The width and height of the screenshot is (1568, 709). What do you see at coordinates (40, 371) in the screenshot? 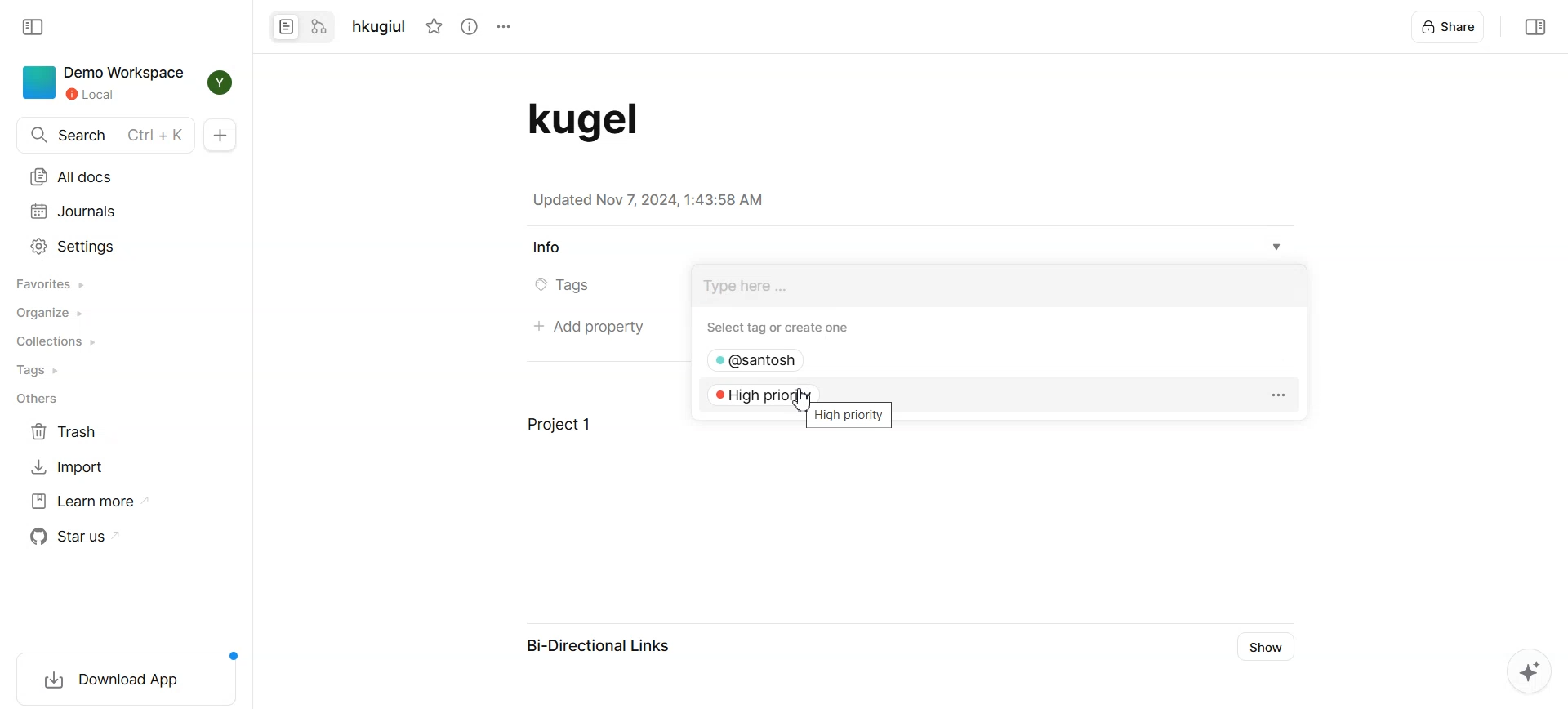
I see `Tags` at bounding box center [40, 371].